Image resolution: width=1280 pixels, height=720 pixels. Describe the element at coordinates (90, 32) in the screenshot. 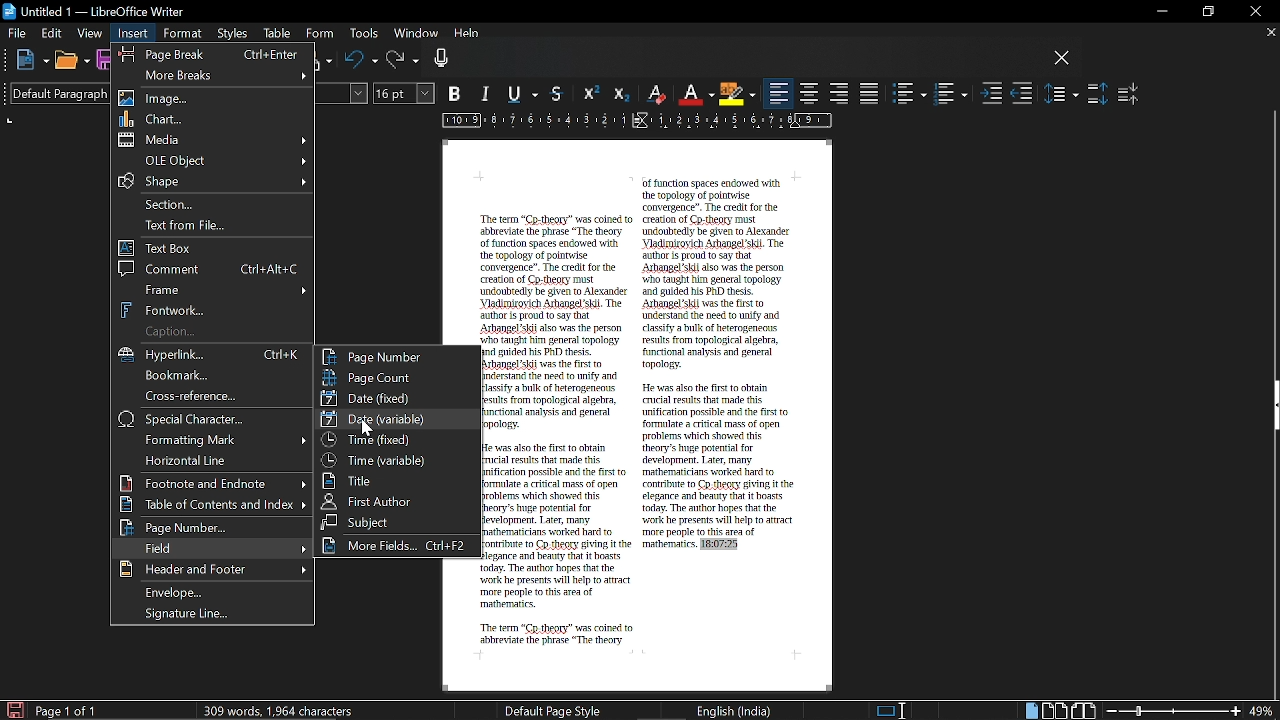

I see `View` at that location.